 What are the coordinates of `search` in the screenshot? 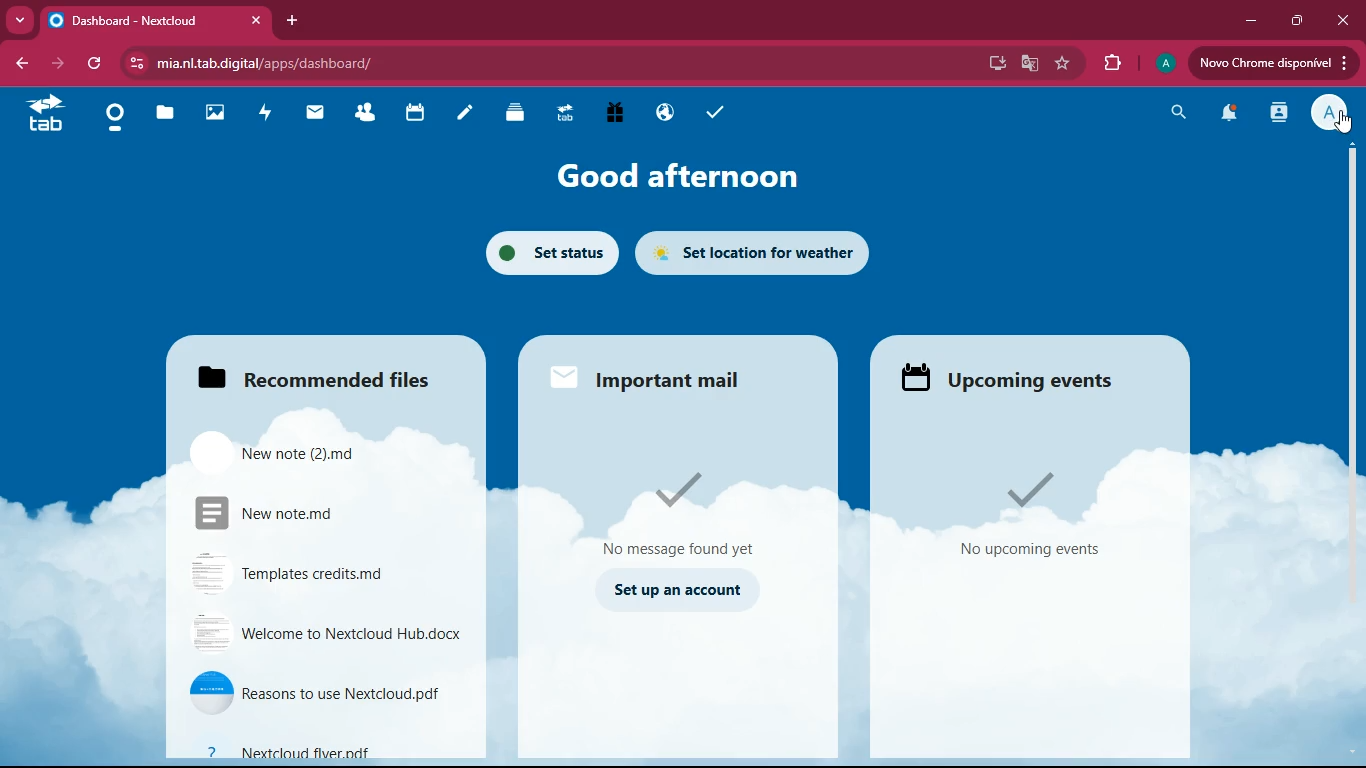 It's located at (1173, 113).